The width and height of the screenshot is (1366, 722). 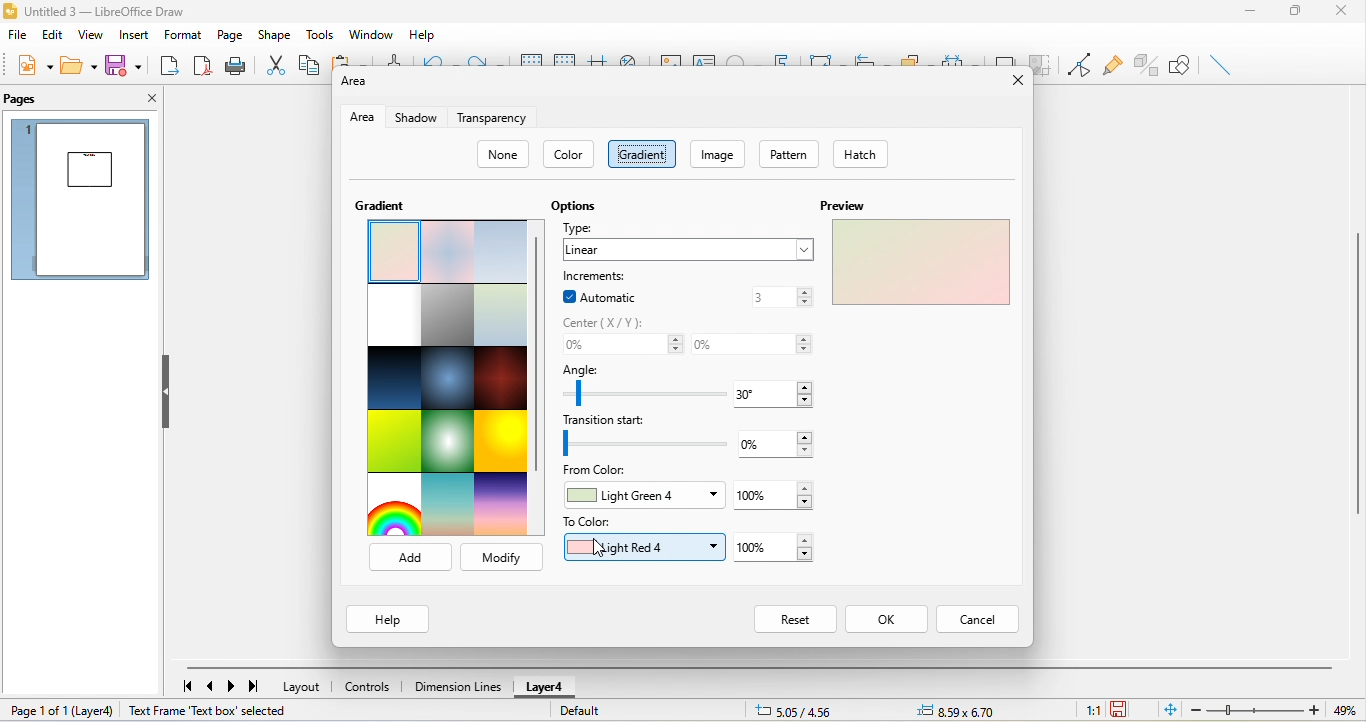 What do you see at coordinates (887, 620) in the screenshot?
I see `ok` at bounding box center [887, 620].